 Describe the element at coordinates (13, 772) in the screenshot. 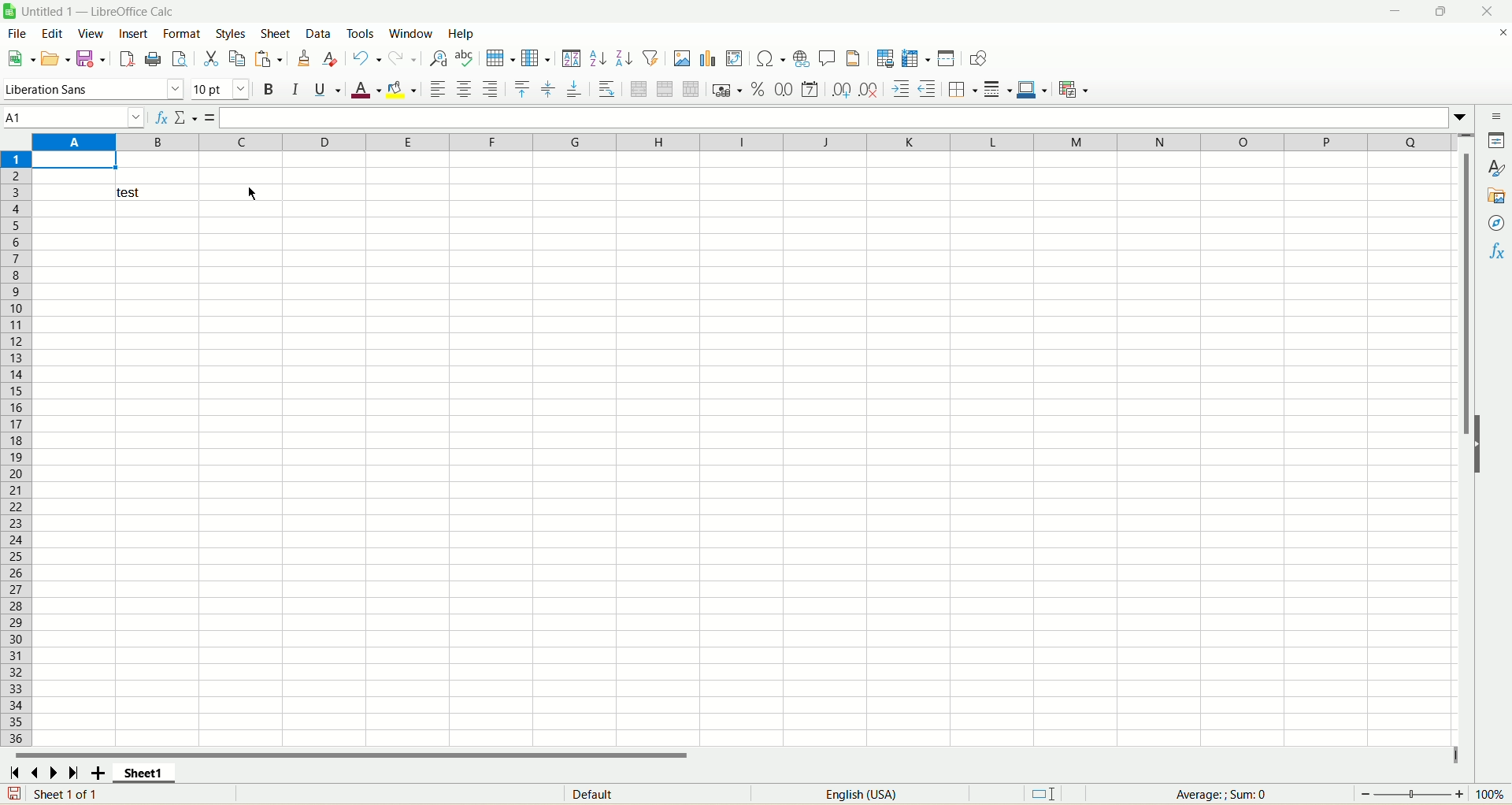

I see `first sheet` at that location.